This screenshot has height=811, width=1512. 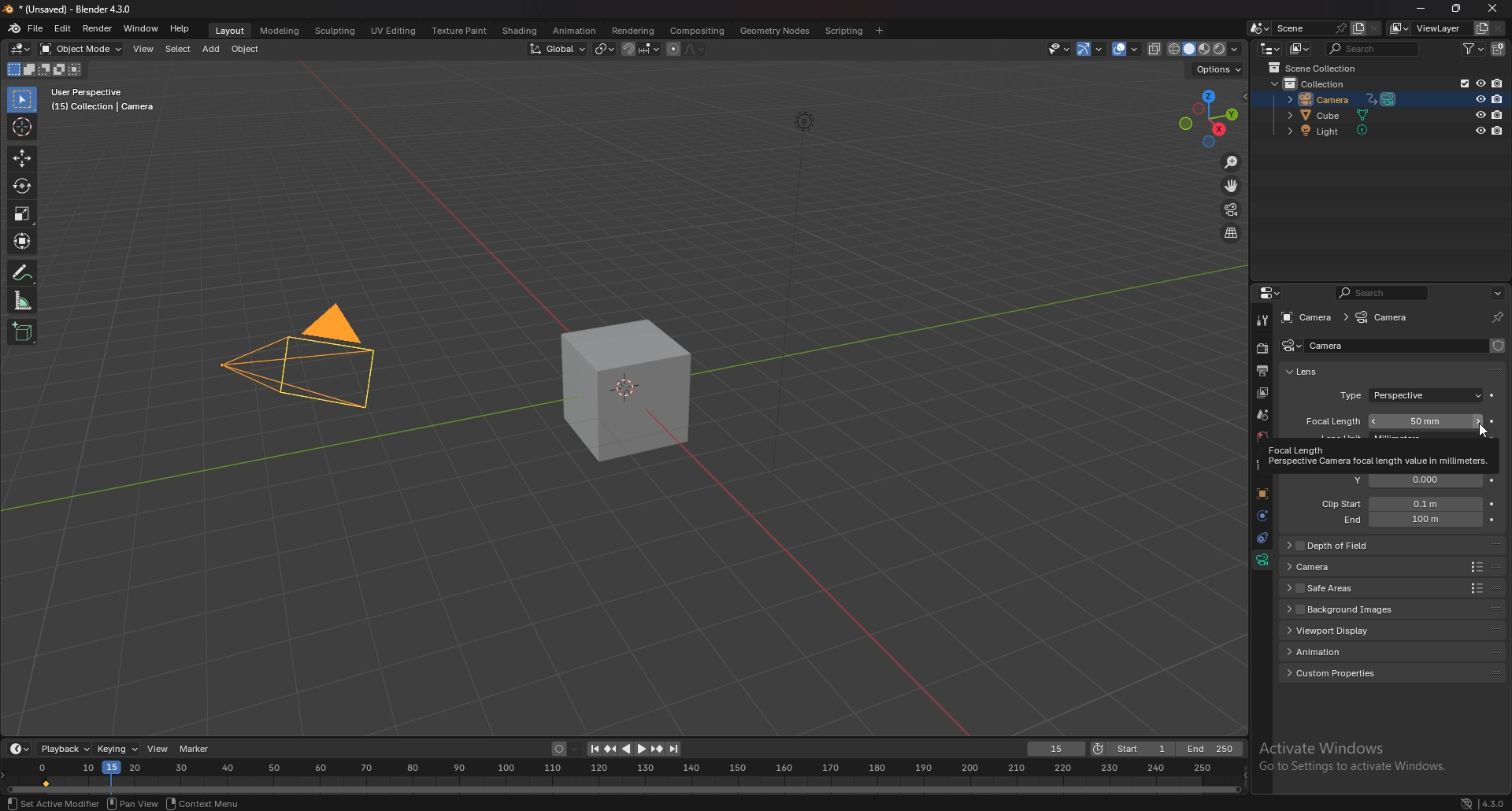 I want to click on layout, so click(x=232, y=31).